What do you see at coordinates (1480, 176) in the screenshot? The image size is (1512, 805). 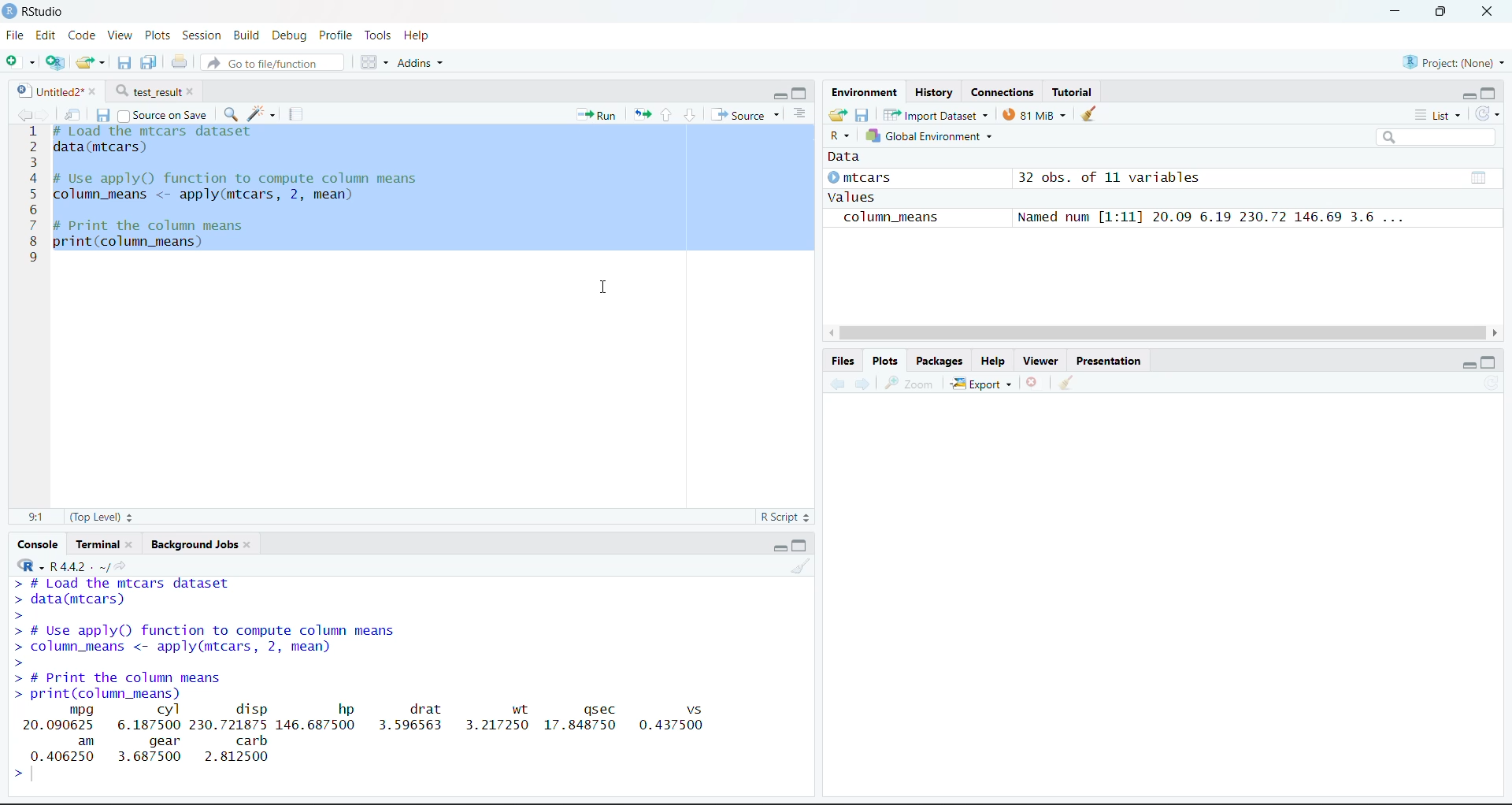 I see `Data/Table` at bounding box center [1480, 176].